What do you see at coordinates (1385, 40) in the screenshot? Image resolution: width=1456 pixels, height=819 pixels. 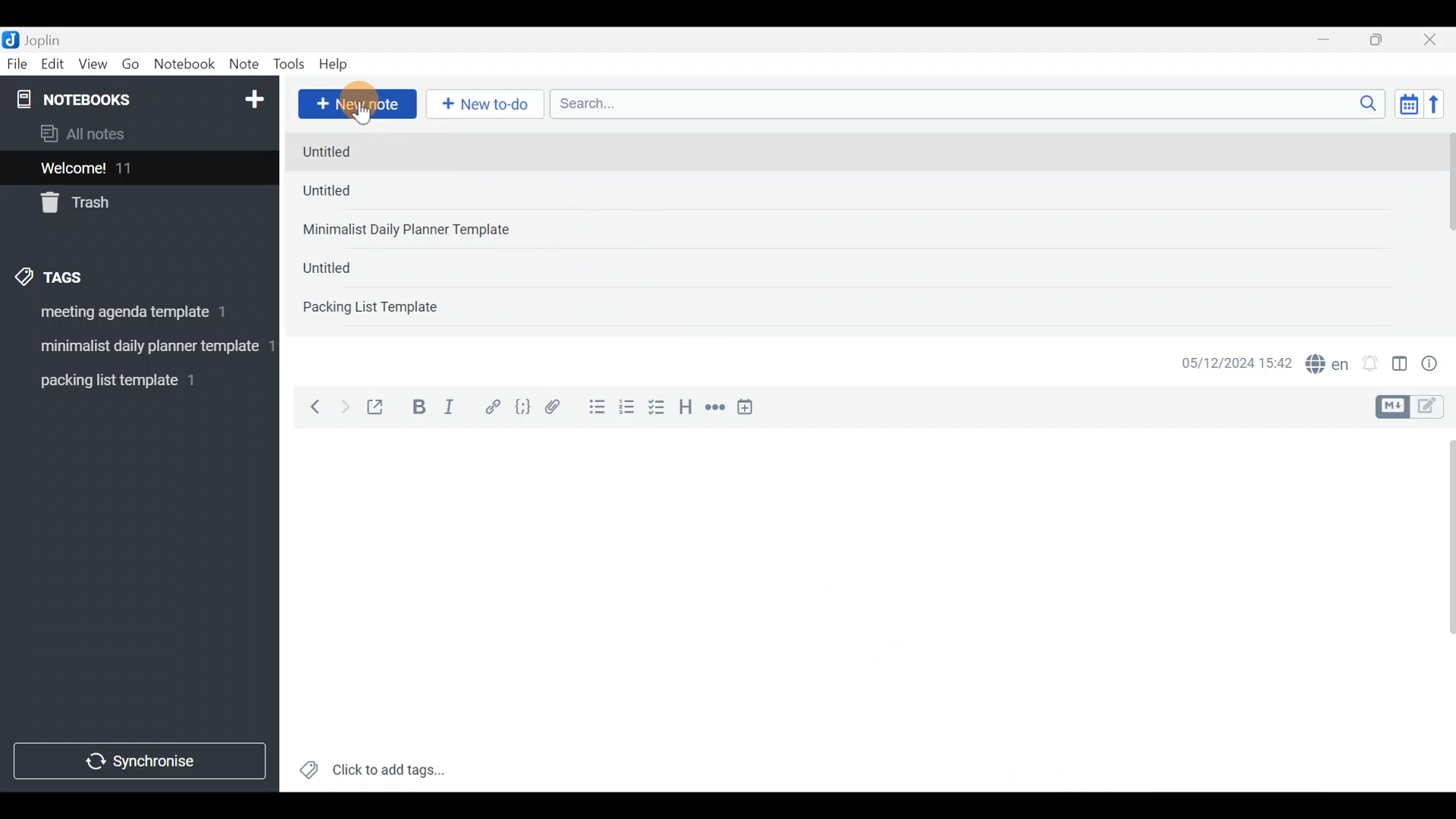 I see `Maximize` at bounding box center [1385, 40].